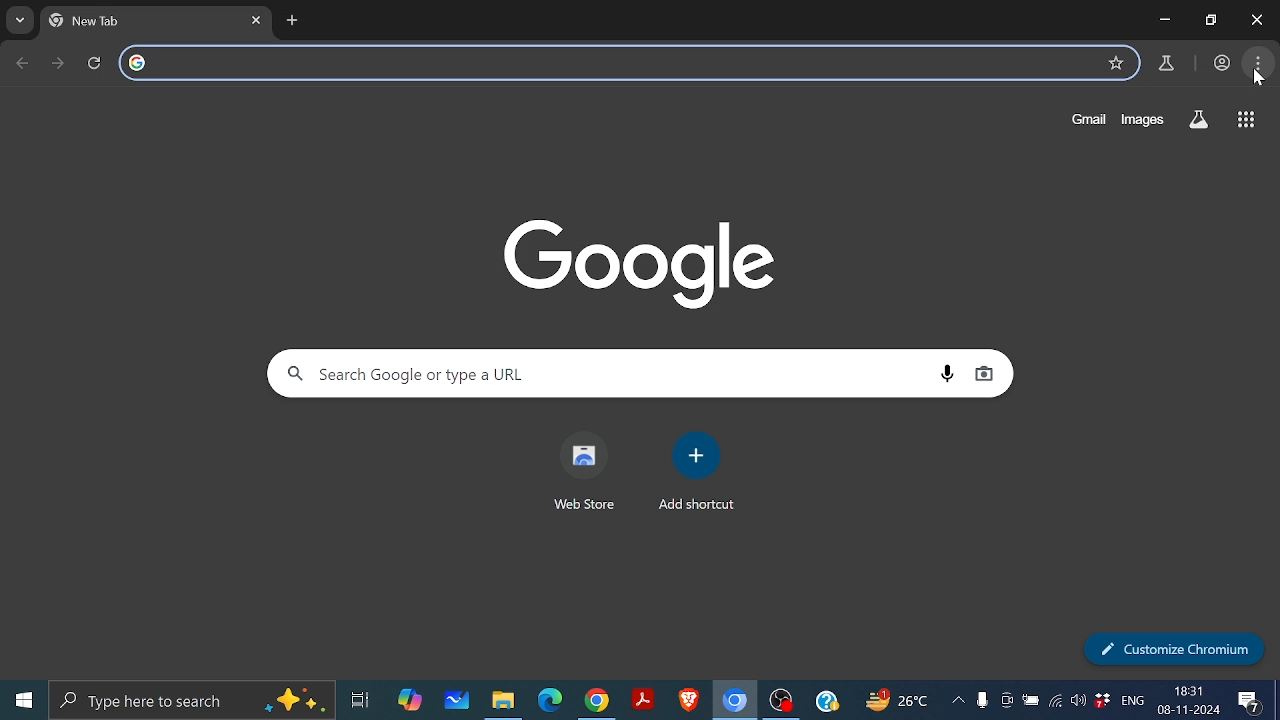  What do you see at coordinates (293, 20) in the screenshot?
I see `Add new tab` at bounding box center [293, 20].